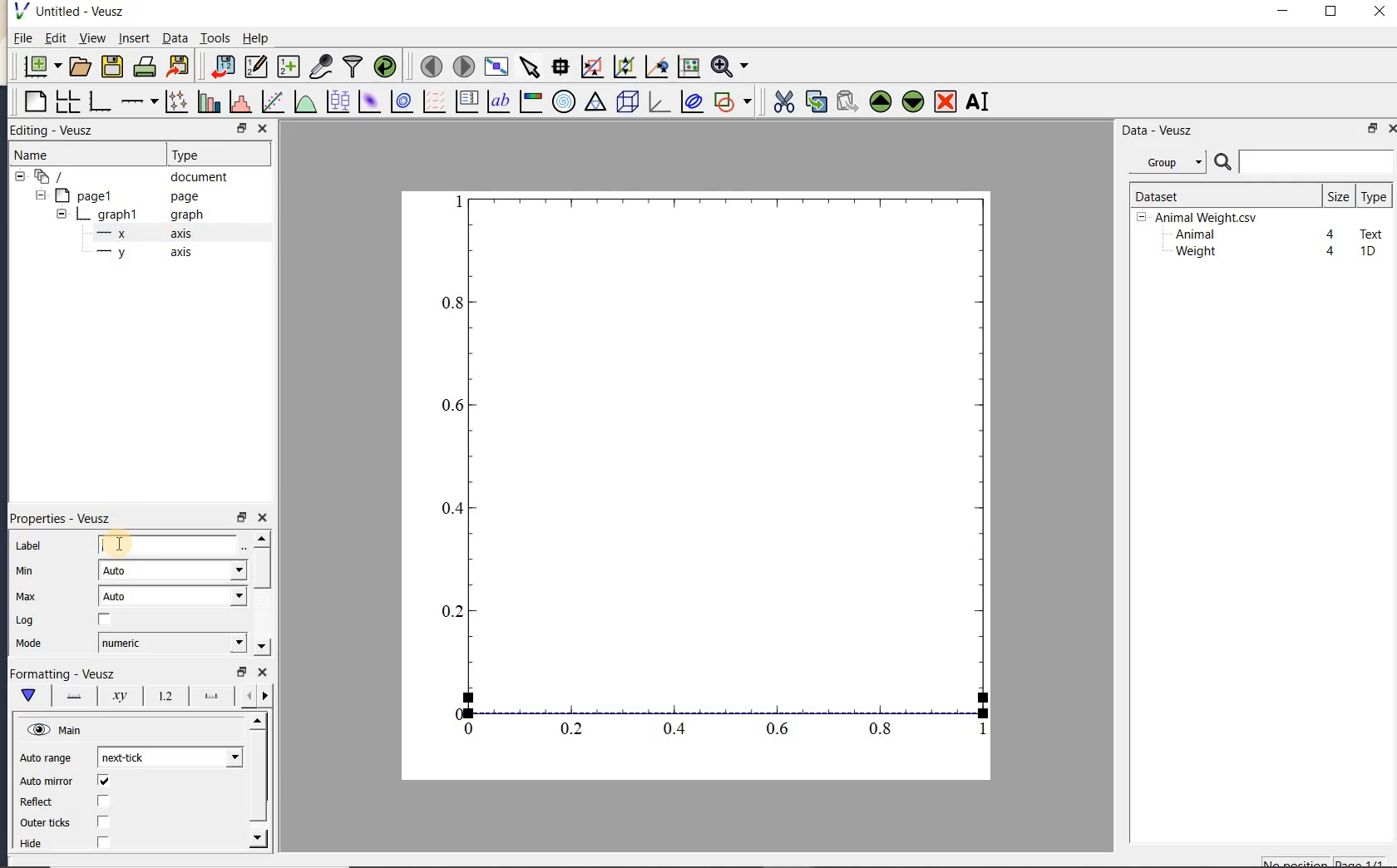 This screenshot has width=1397, height=868. What do you see at coordinates (657, 101) in the screenshot?
I see `3d graph` at bounding box center [657, 101].